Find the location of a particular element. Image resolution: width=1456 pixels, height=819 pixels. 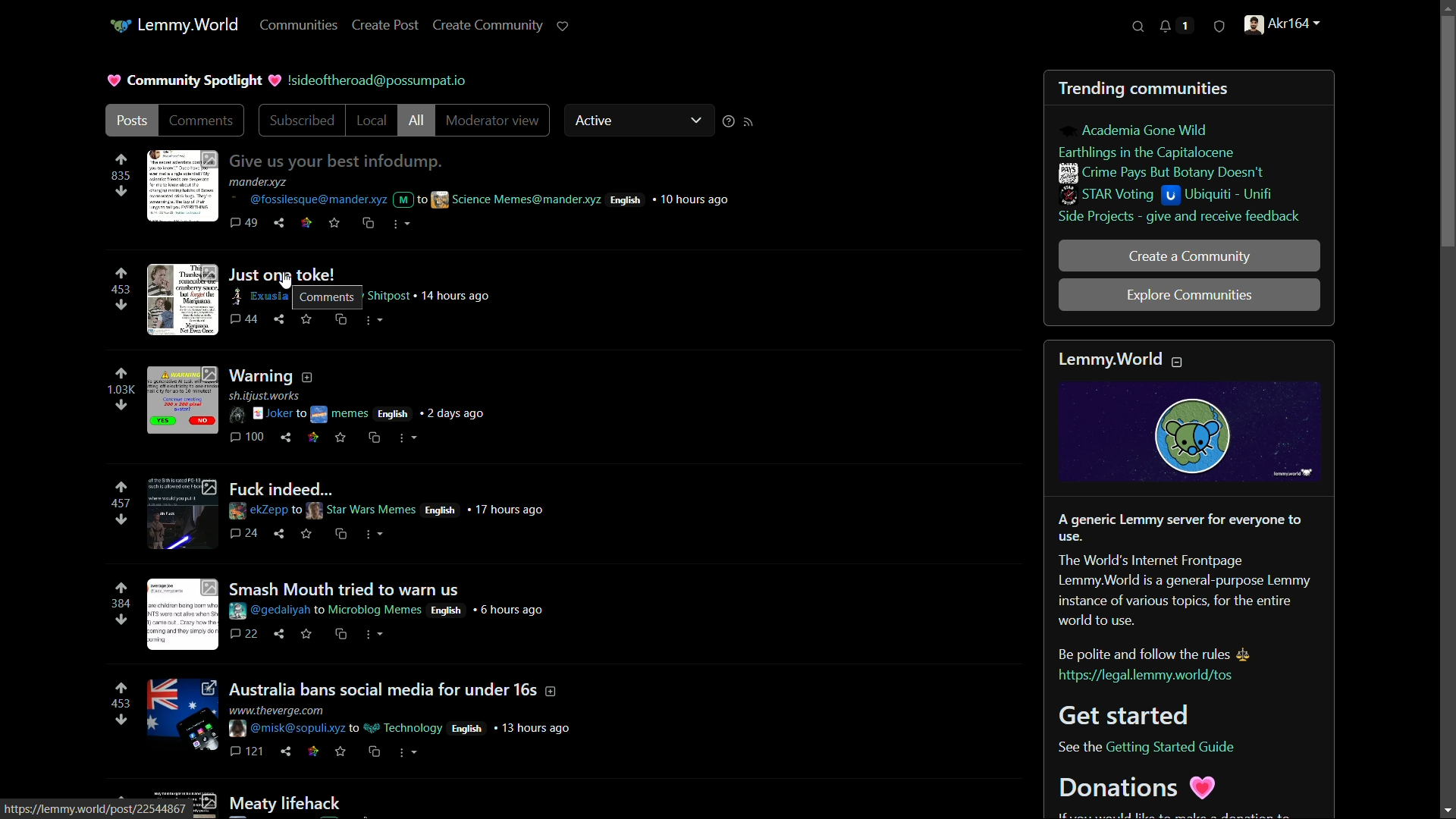

save is located at coordinates (342, 438).